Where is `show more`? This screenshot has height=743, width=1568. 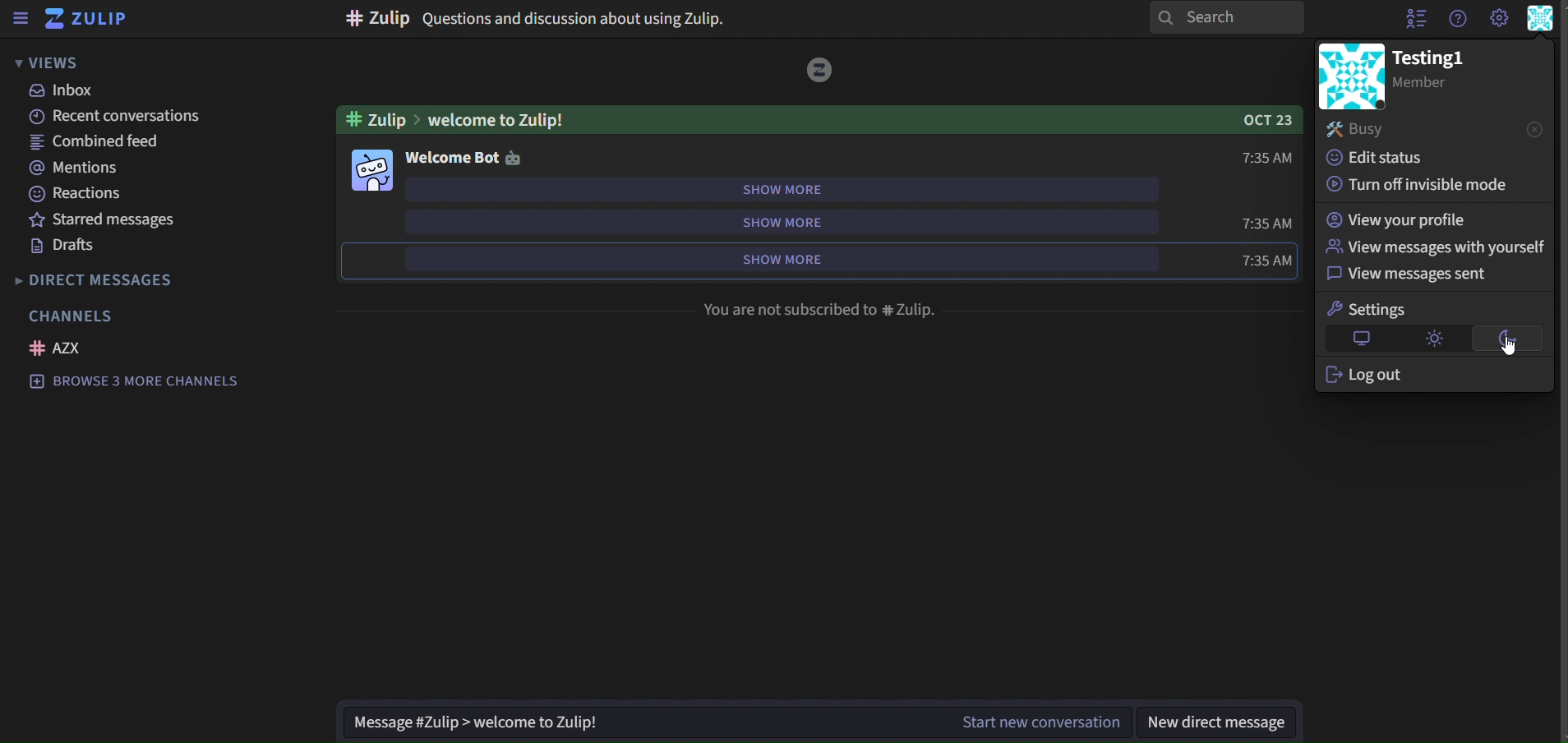
show more is located at coordinates (779, 258).